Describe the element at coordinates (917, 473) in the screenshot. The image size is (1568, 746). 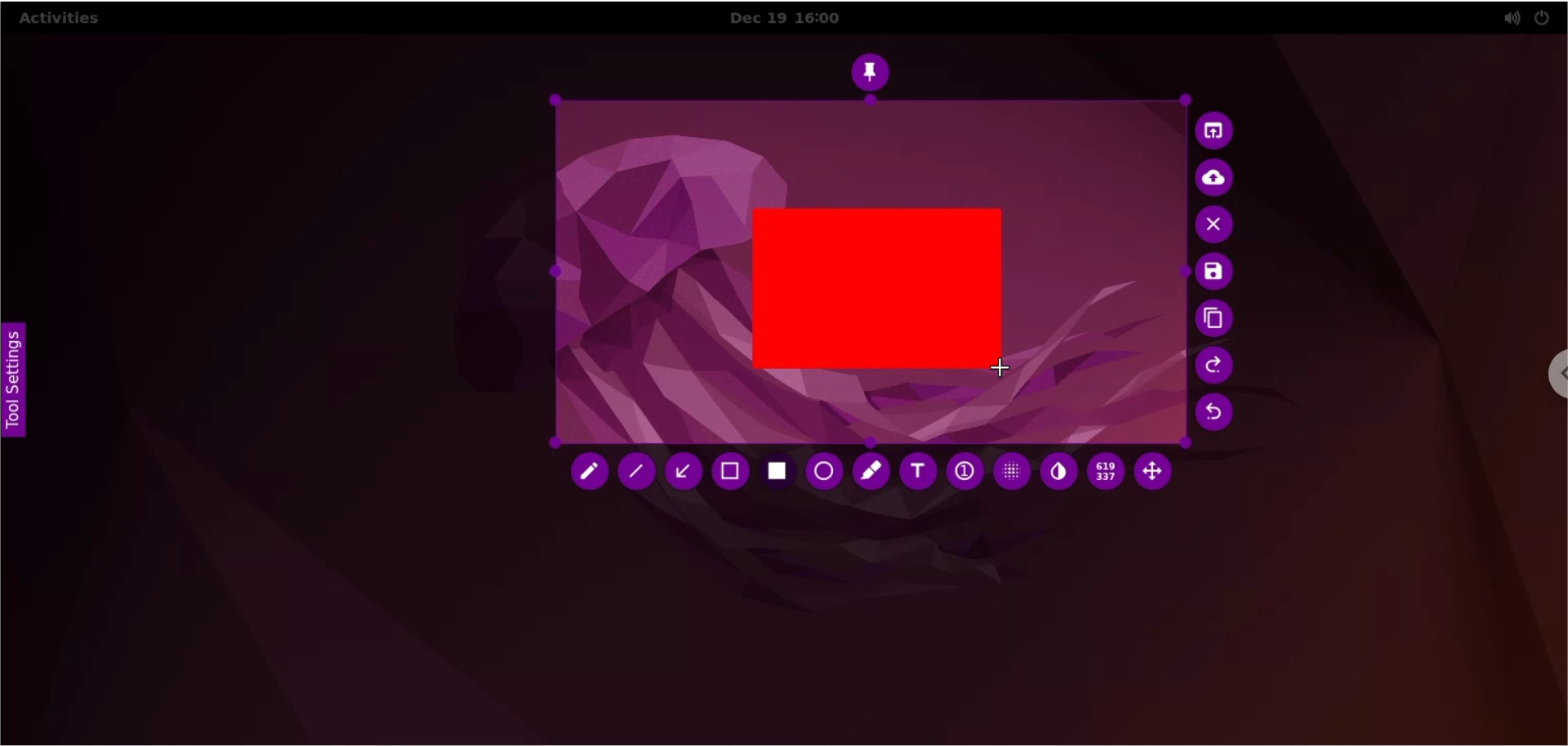
I see `text tool` at that location.